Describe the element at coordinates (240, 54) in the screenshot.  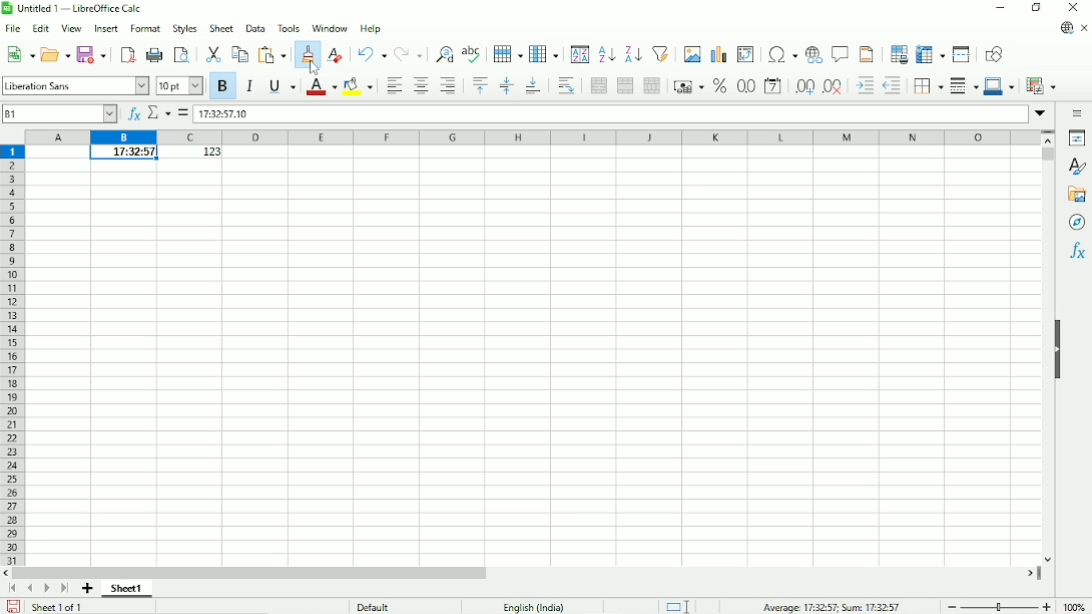
I see `Copy` at that location.